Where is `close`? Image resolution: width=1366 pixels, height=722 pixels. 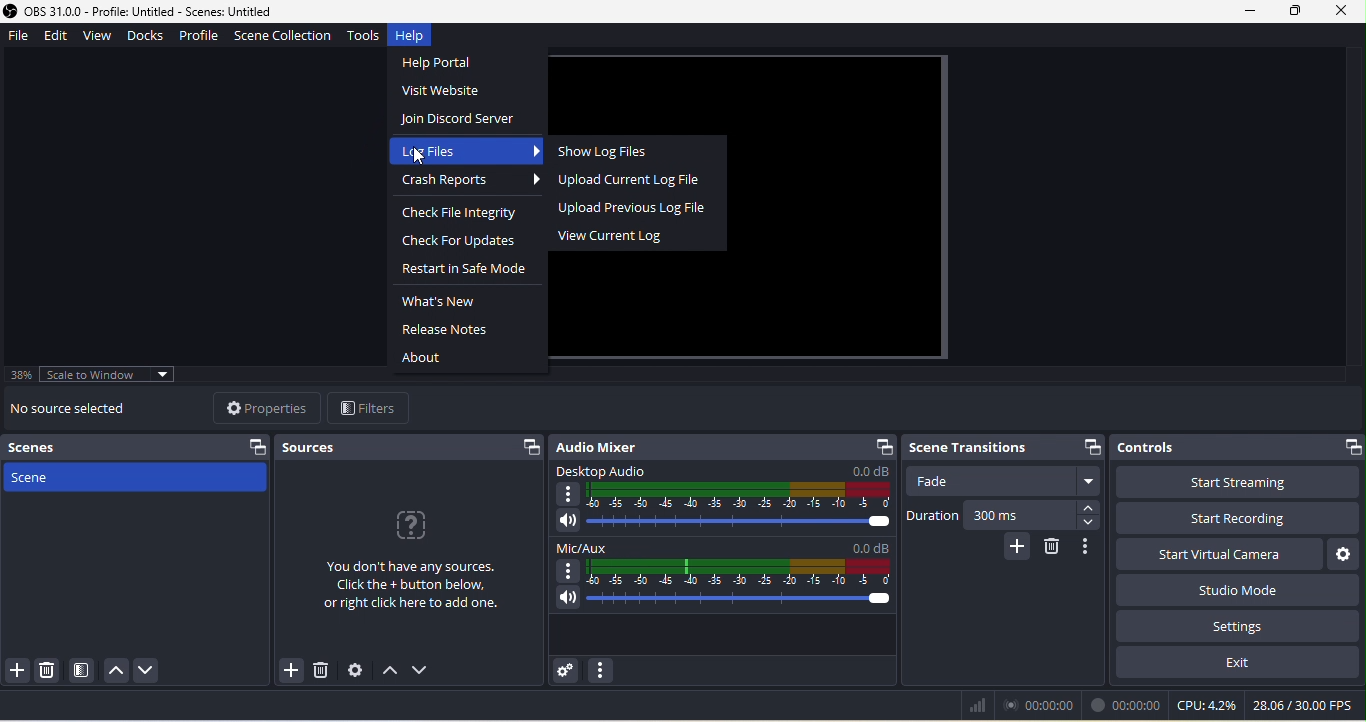
close is located at coordinates (1343, 11).